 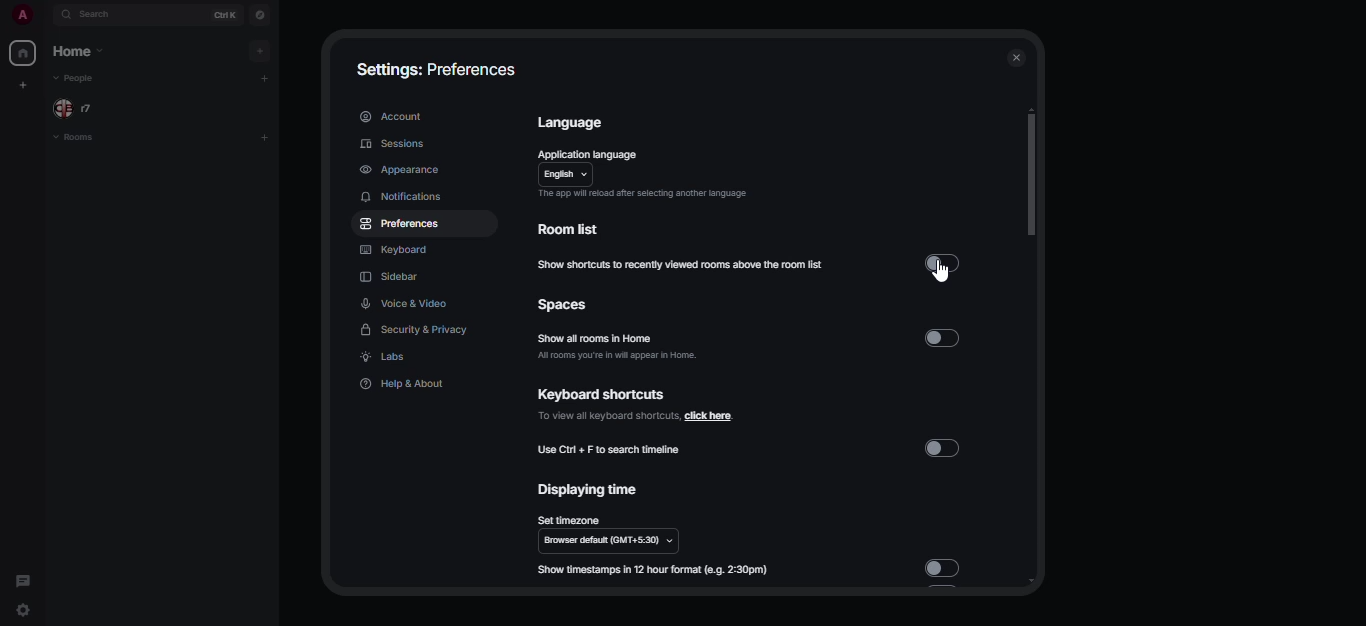 I want to click on people, so click(x=74, y=107).